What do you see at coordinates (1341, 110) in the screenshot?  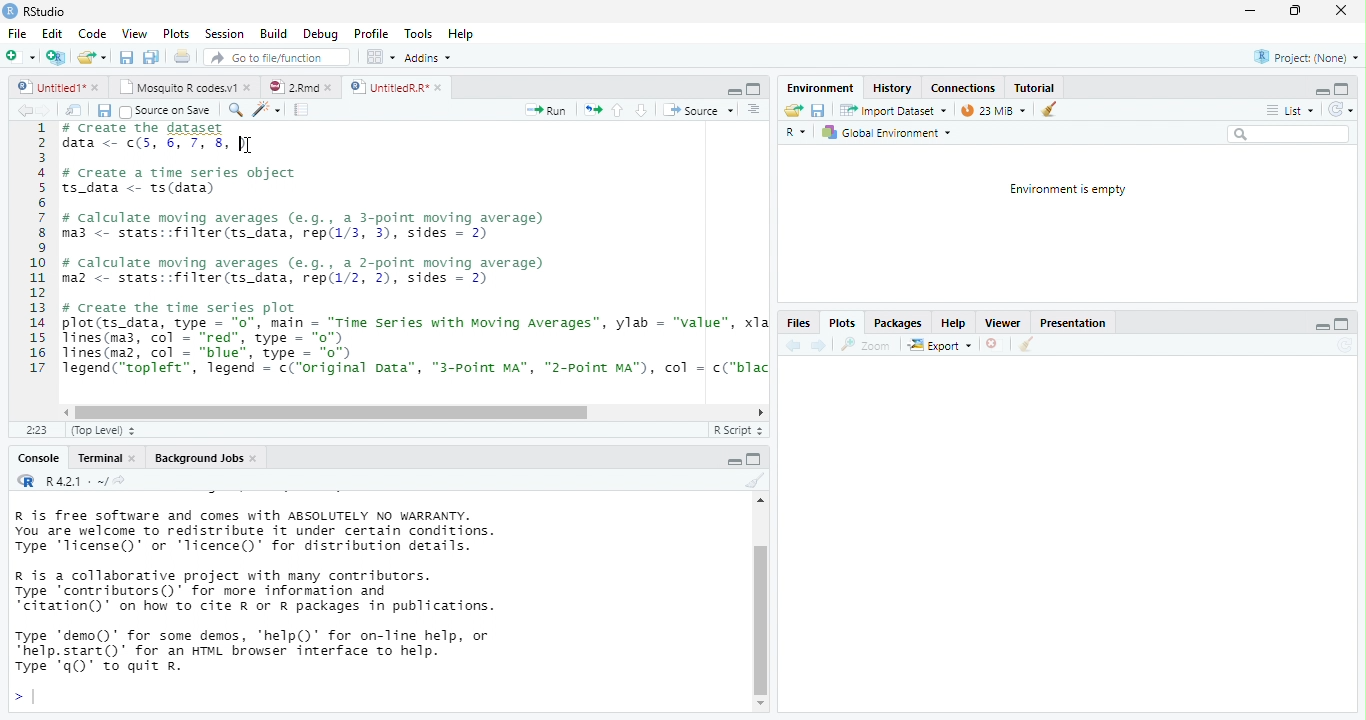 I see `Refresh` at bounding box center [1341, 110].